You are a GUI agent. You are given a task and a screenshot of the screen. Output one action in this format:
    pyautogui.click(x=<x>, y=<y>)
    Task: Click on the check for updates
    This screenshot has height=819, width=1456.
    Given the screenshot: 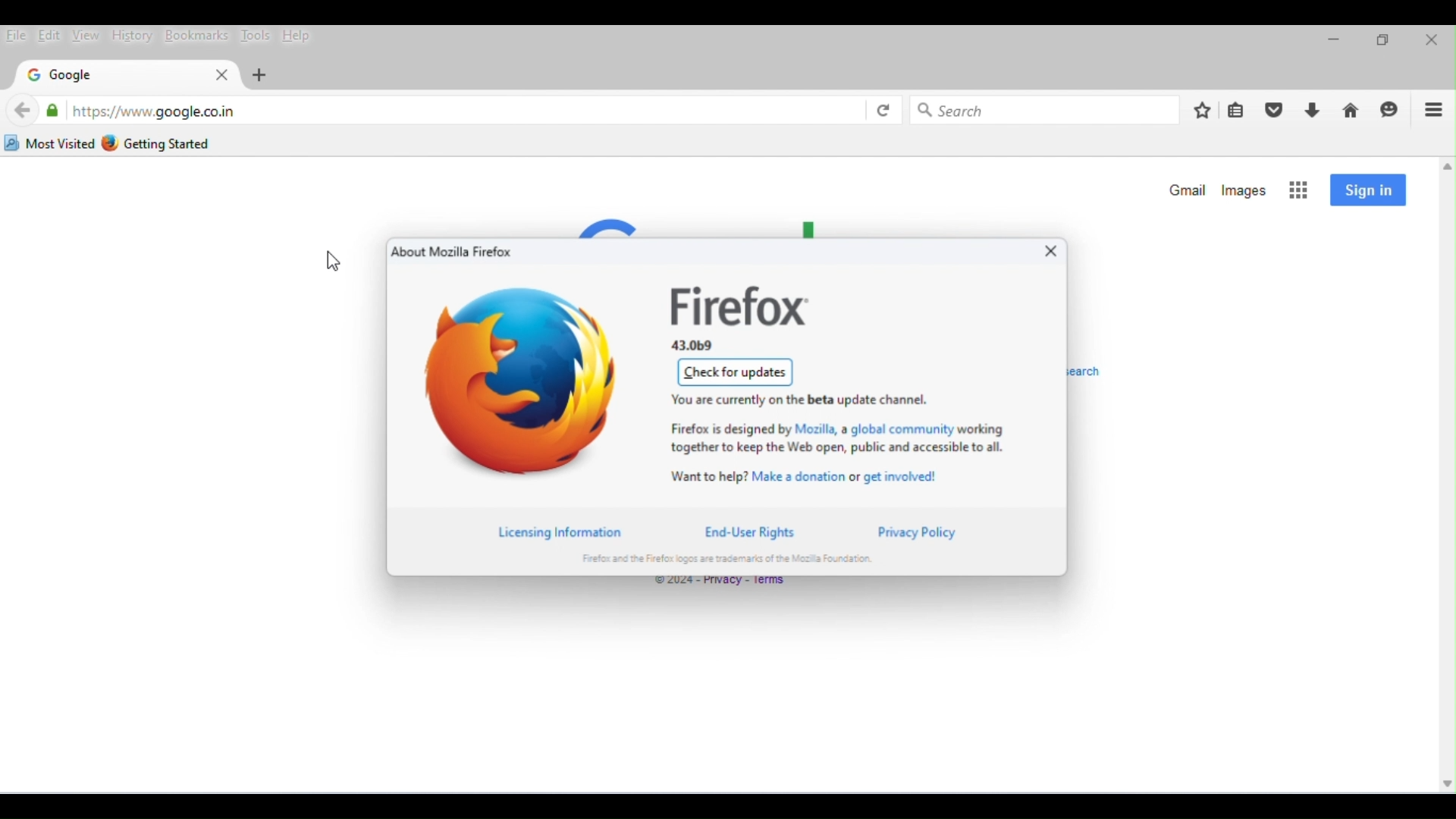 What is the action you would take?
    pyautogui.click(x=735, y=372)
    